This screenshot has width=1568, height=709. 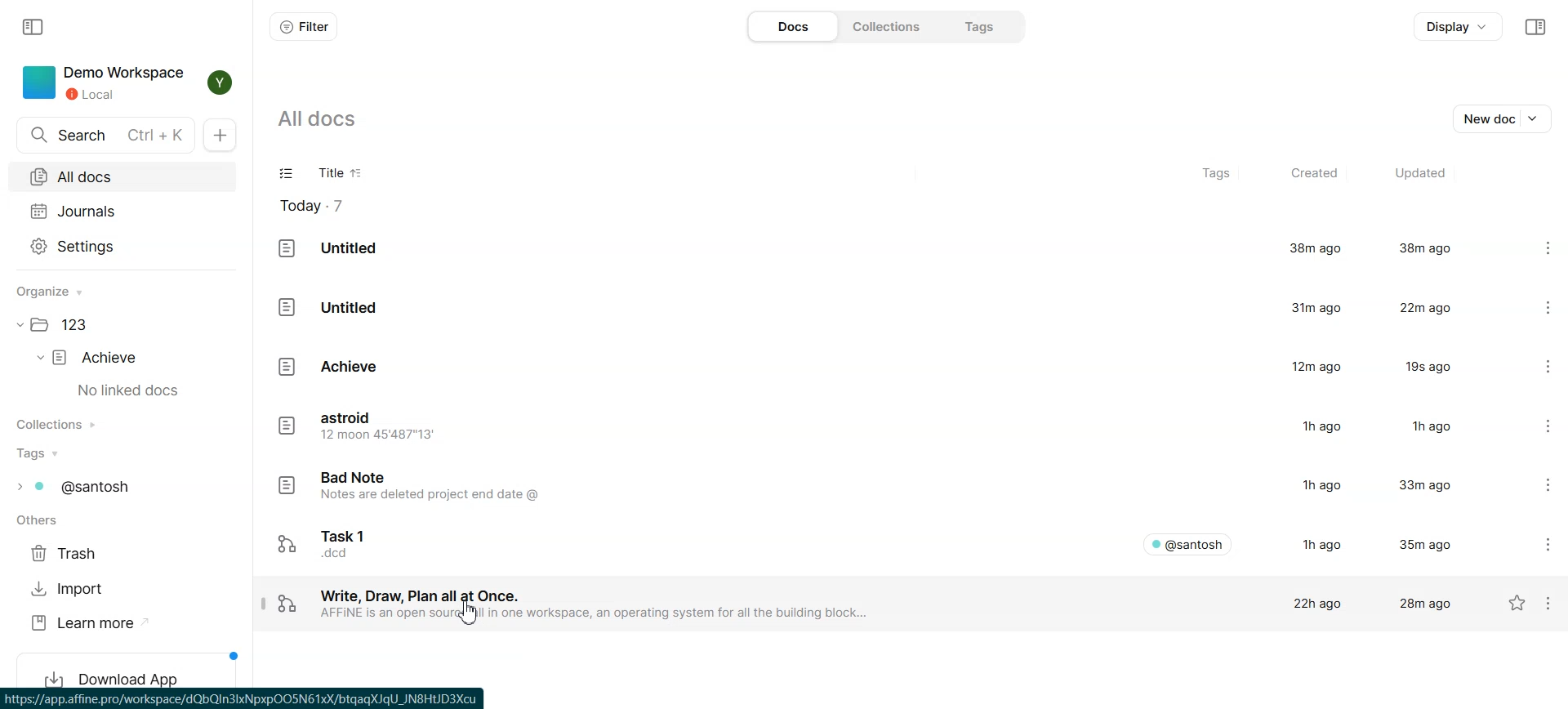 I want to click on New doc, so click(x=224, y=136).